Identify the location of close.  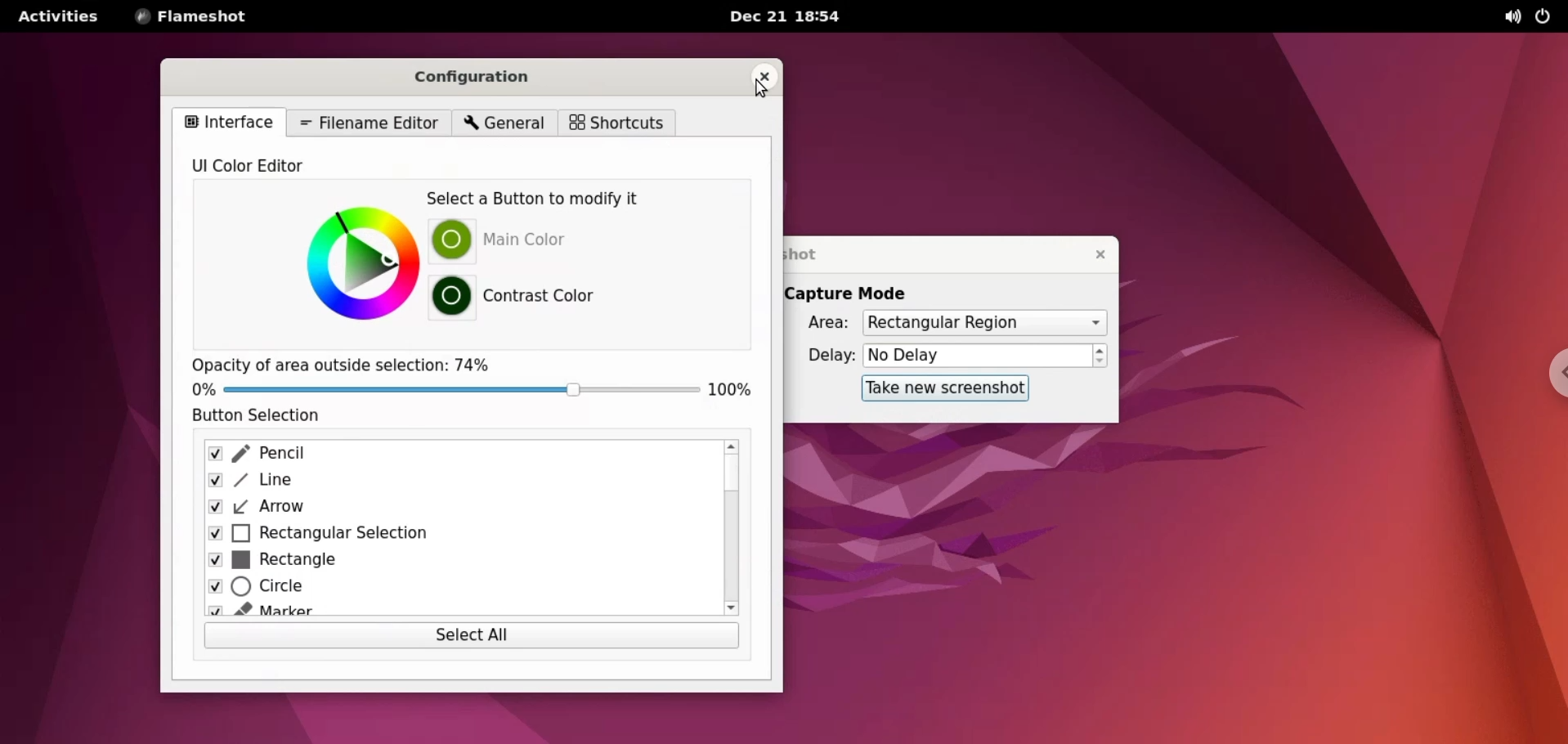
(765, 76).